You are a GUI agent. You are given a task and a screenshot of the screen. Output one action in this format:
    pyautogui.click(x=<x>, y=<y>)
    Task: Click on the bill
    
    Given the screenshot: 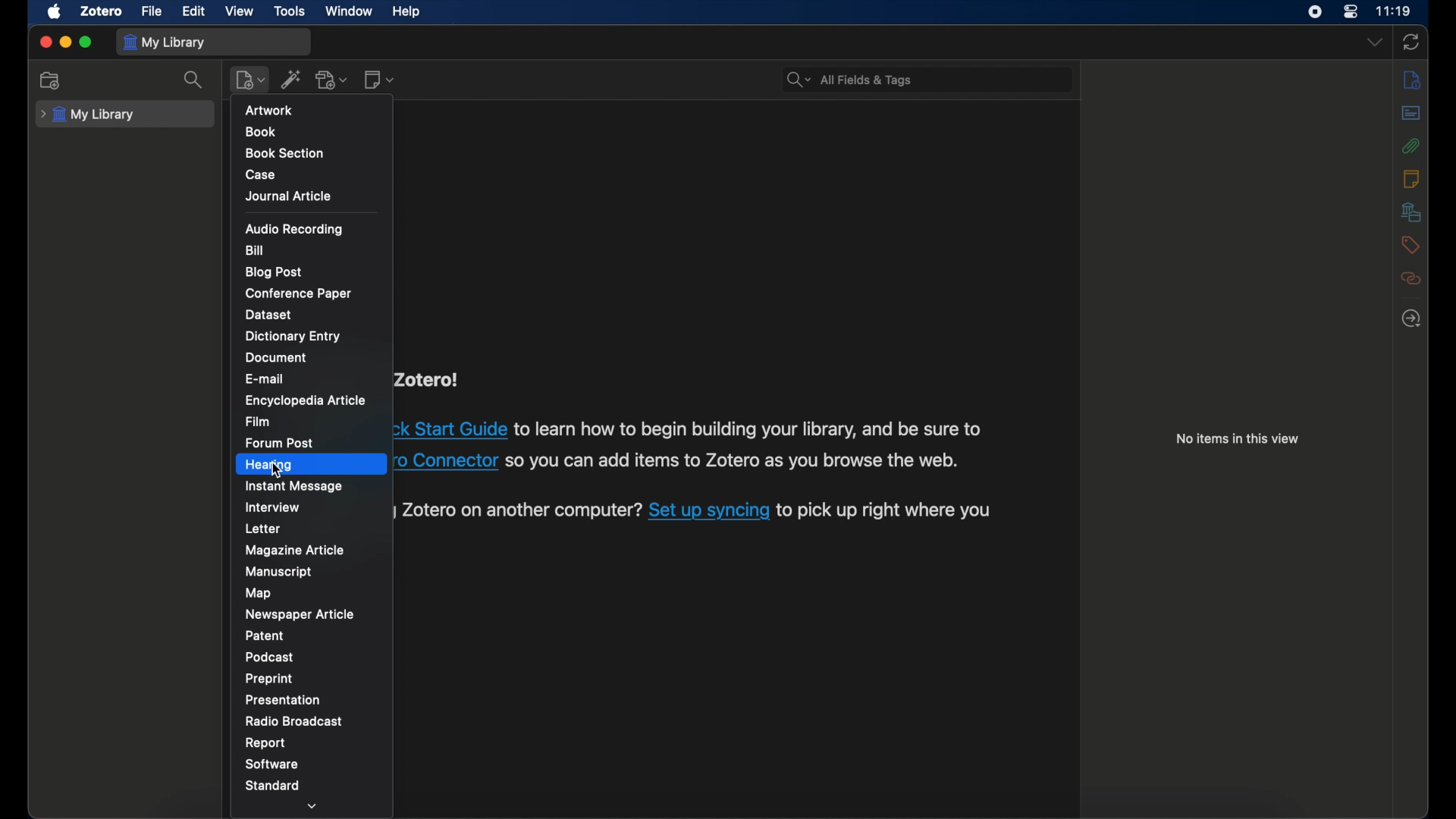 What is the action you would take?
    pyautogui.click(x=256, y=251)
    